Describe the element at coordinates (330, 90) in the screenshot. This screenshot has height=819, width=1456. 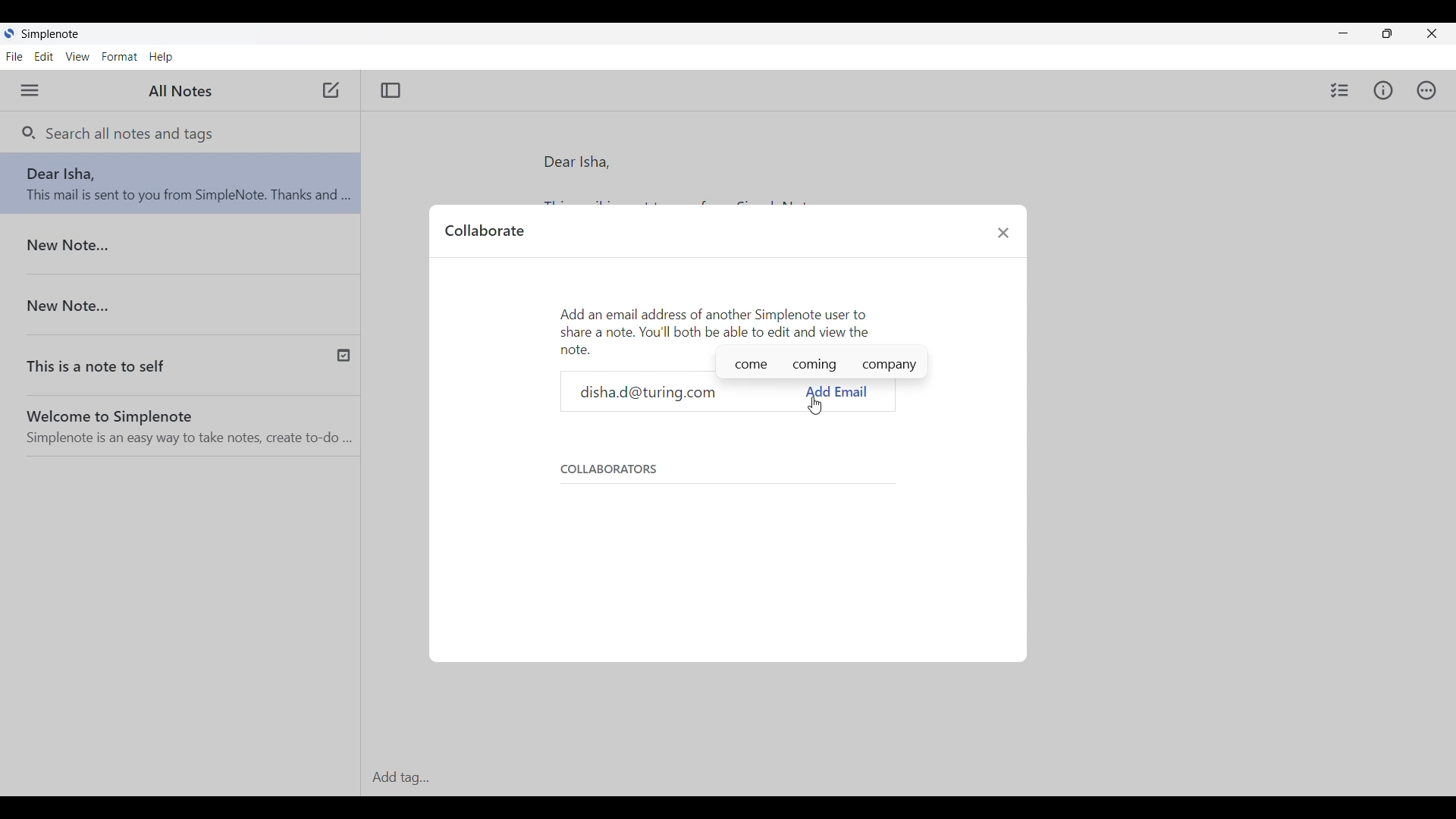
I see `Click to add new note` at that location.